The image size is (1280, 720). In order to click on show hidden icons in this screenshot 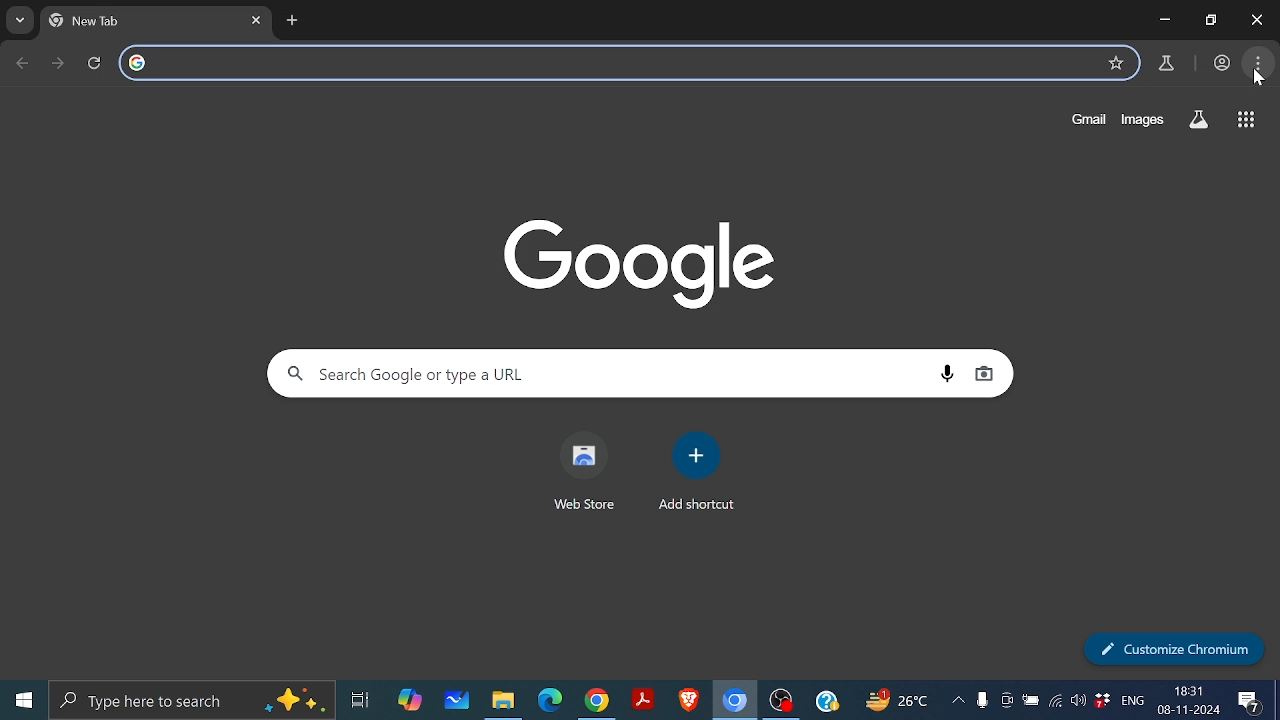, I will do `click(958, 704)`.